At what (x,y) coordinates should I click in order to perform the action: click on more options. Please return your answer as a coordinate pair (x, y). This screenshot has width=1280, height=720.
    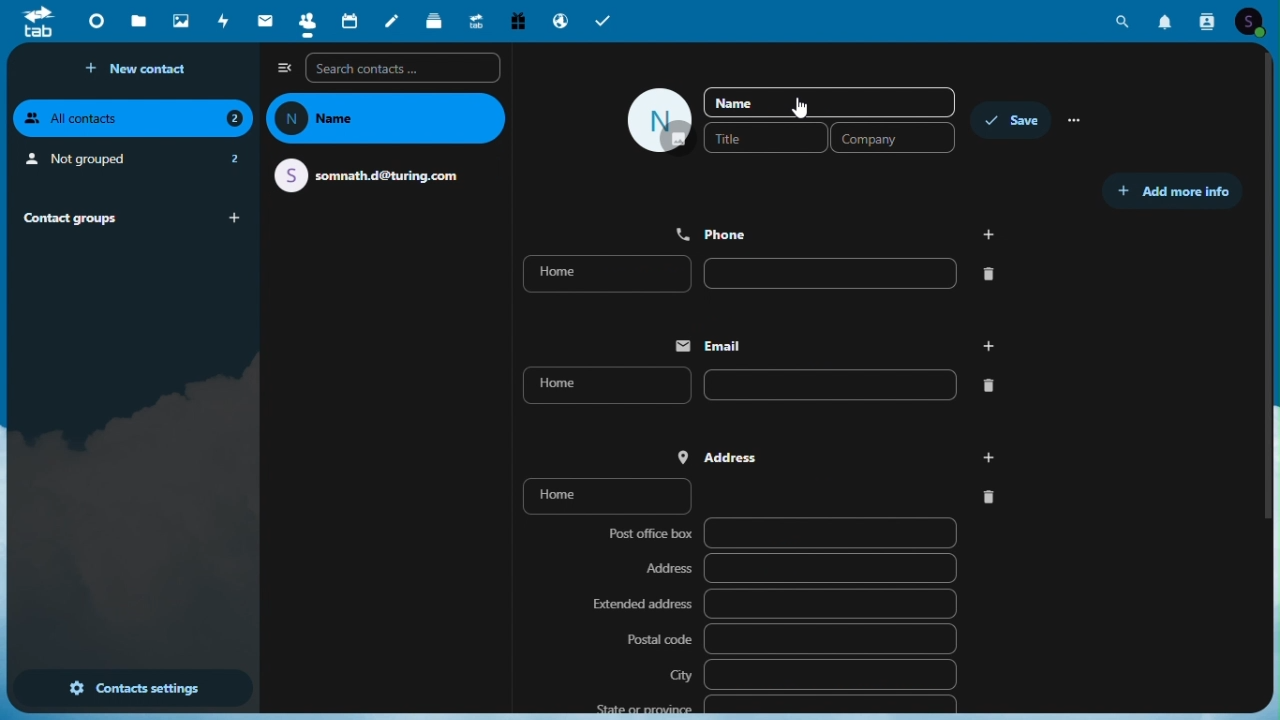
    Looking at the image, I should click on (1079, 121).